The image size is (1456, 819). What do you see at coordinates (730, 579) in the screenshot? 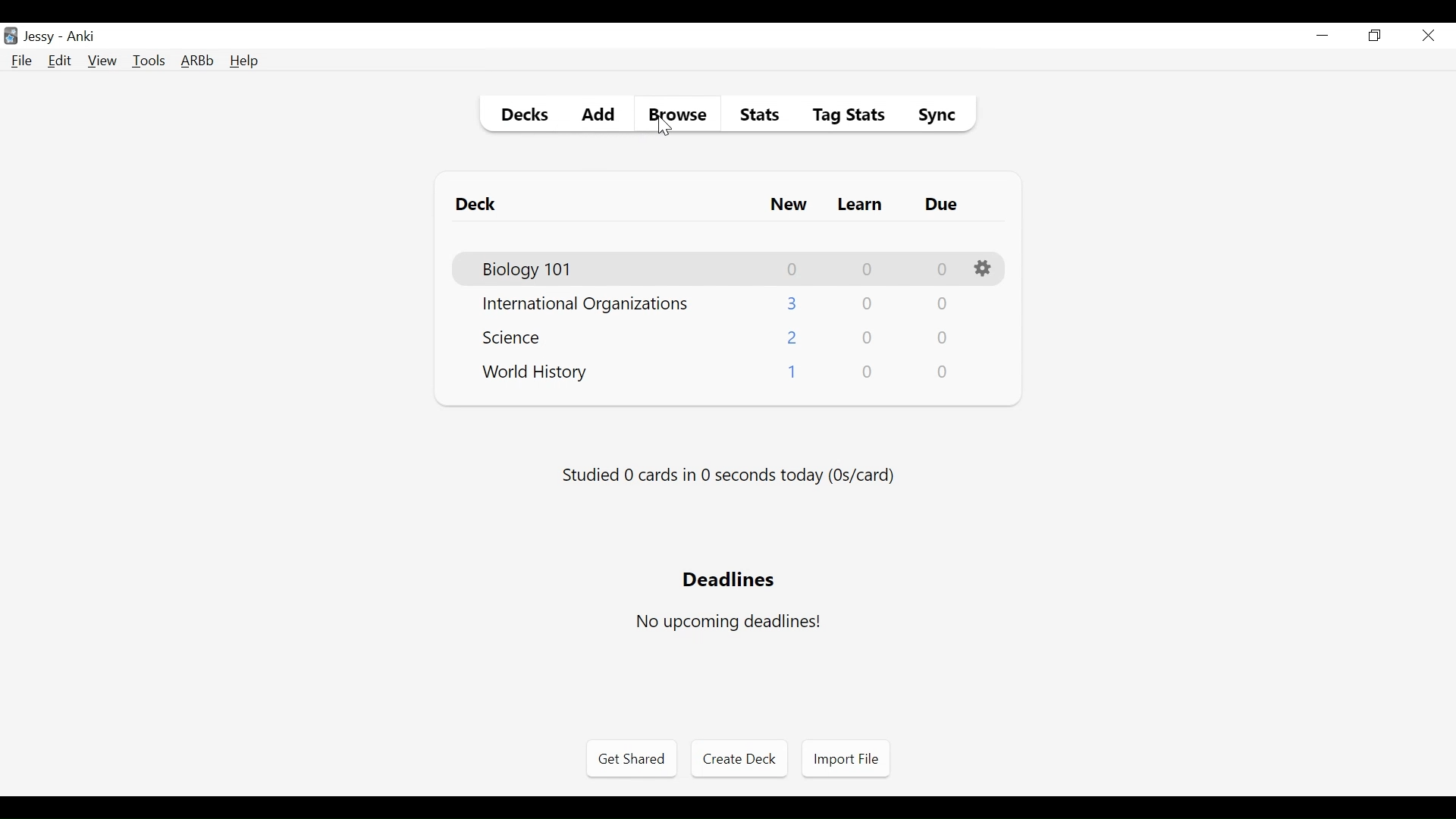
I see `Deadlines` at bounding box center [730, 579].